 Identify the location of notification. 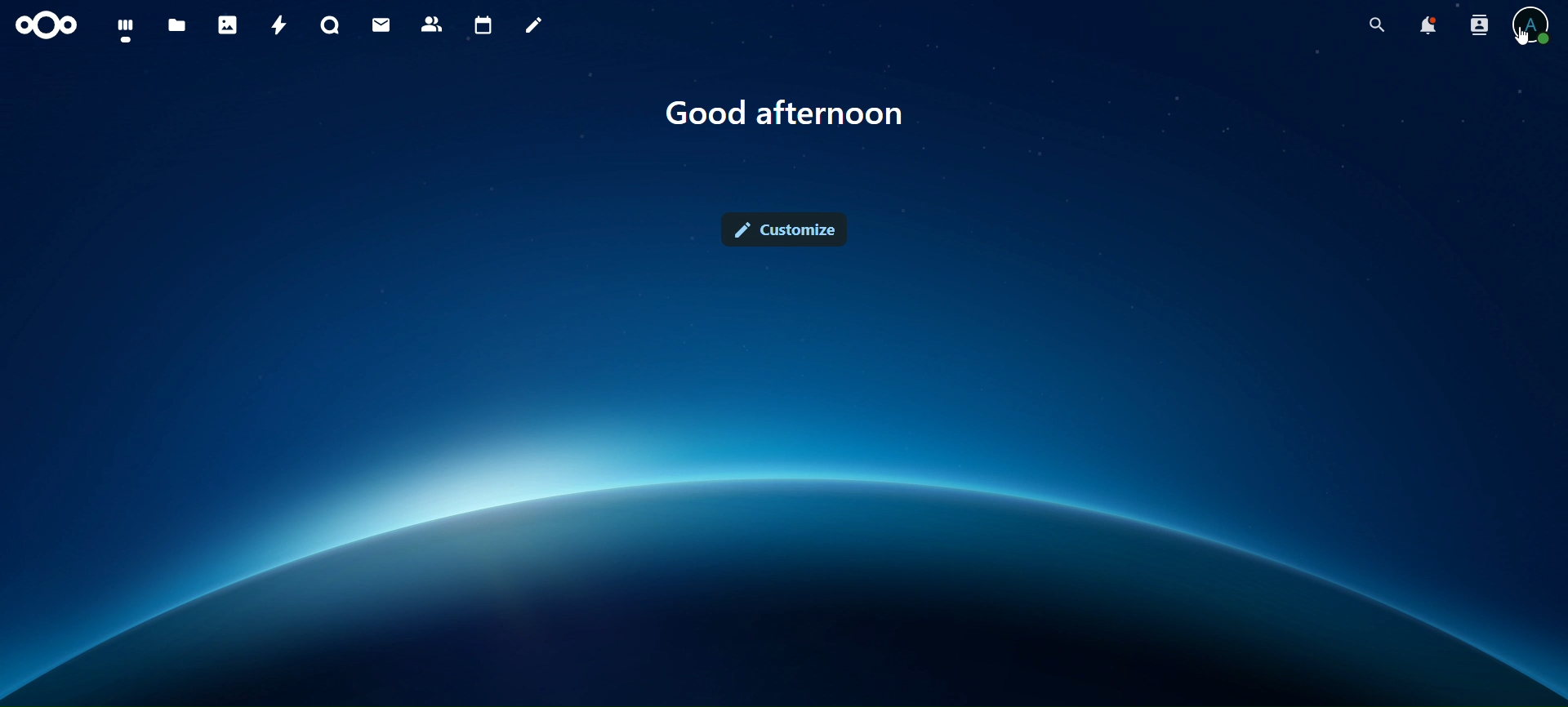
(1476, 24).